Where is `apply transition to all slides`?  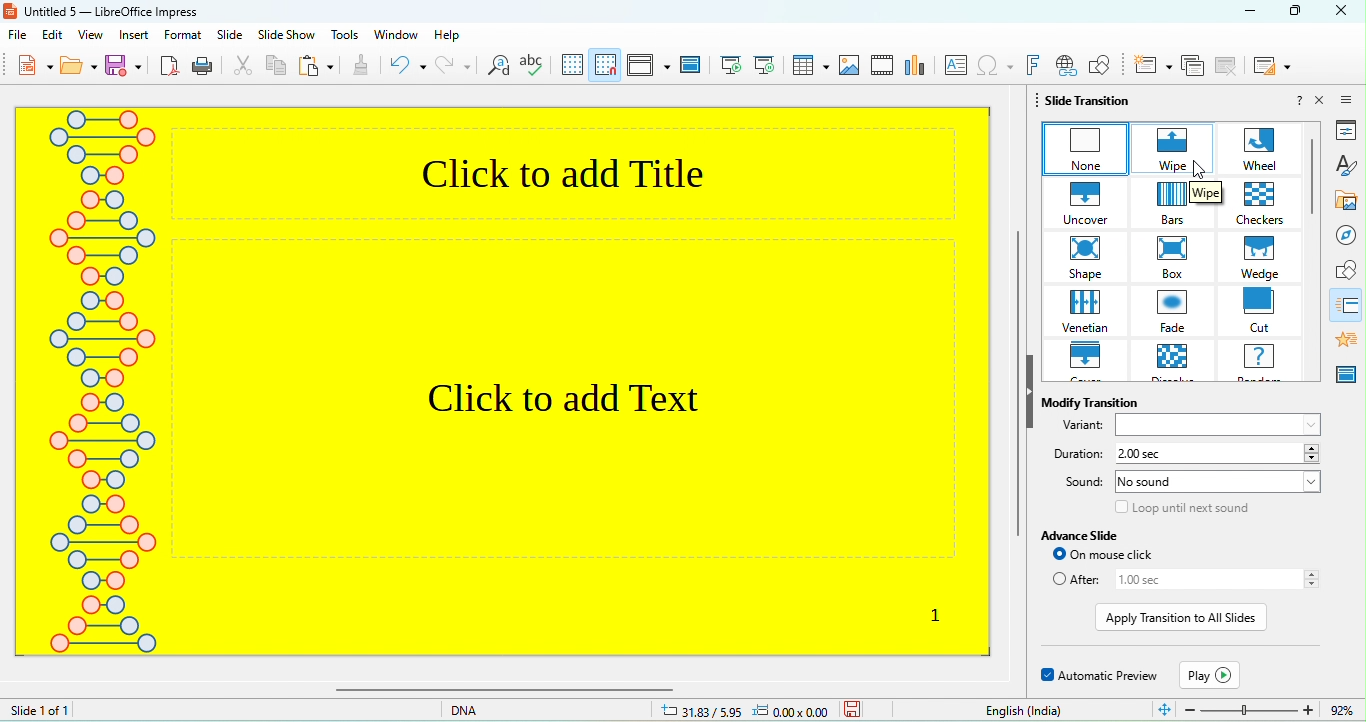 apply transition to all slides is located at coordinates (1181, 617).